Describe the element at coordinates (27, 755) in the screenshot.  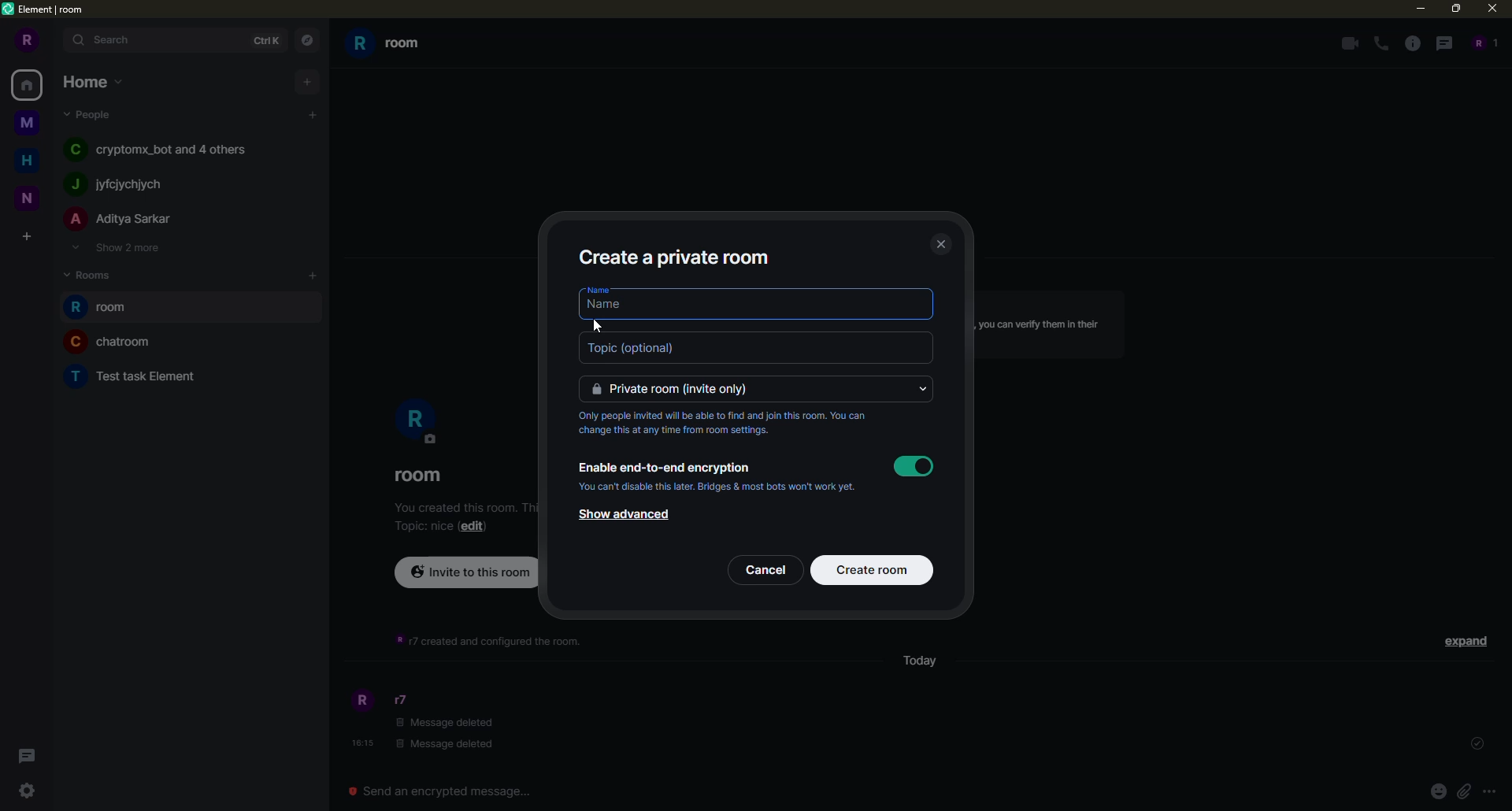
I see `threads` at that location.